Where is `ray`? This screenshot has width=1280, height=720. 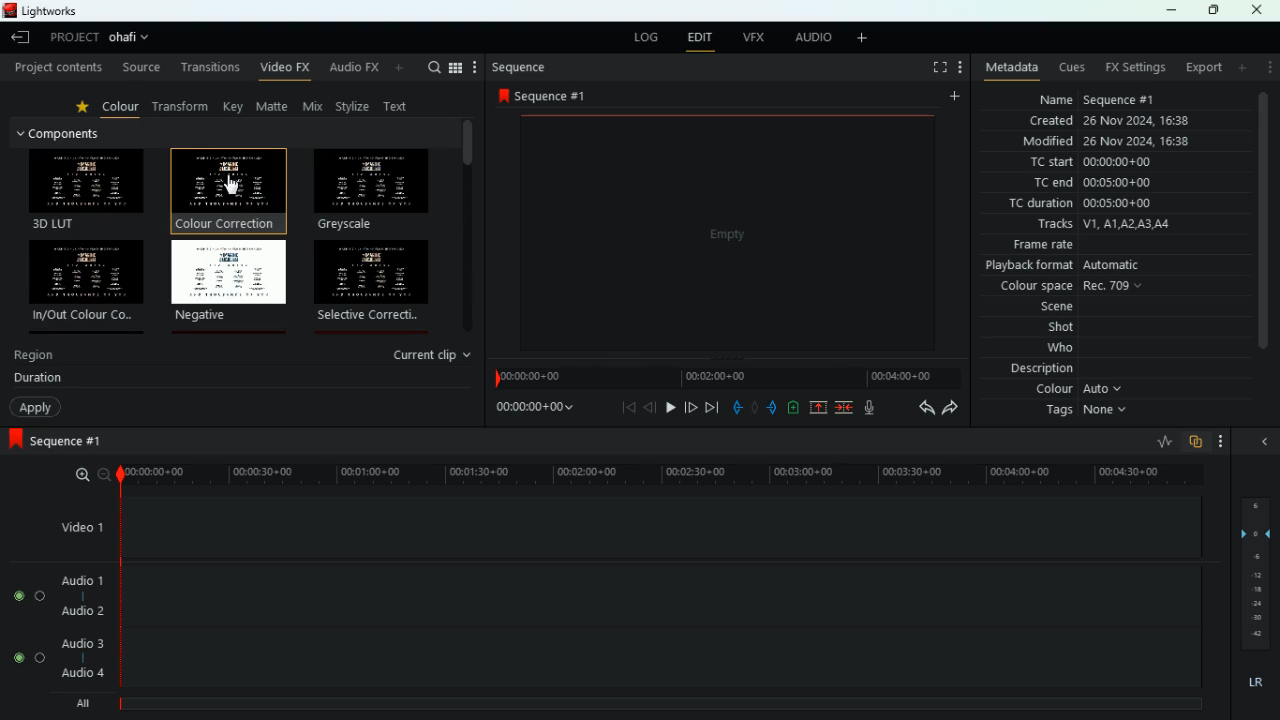
ray is located at coordinates (1162, 441).